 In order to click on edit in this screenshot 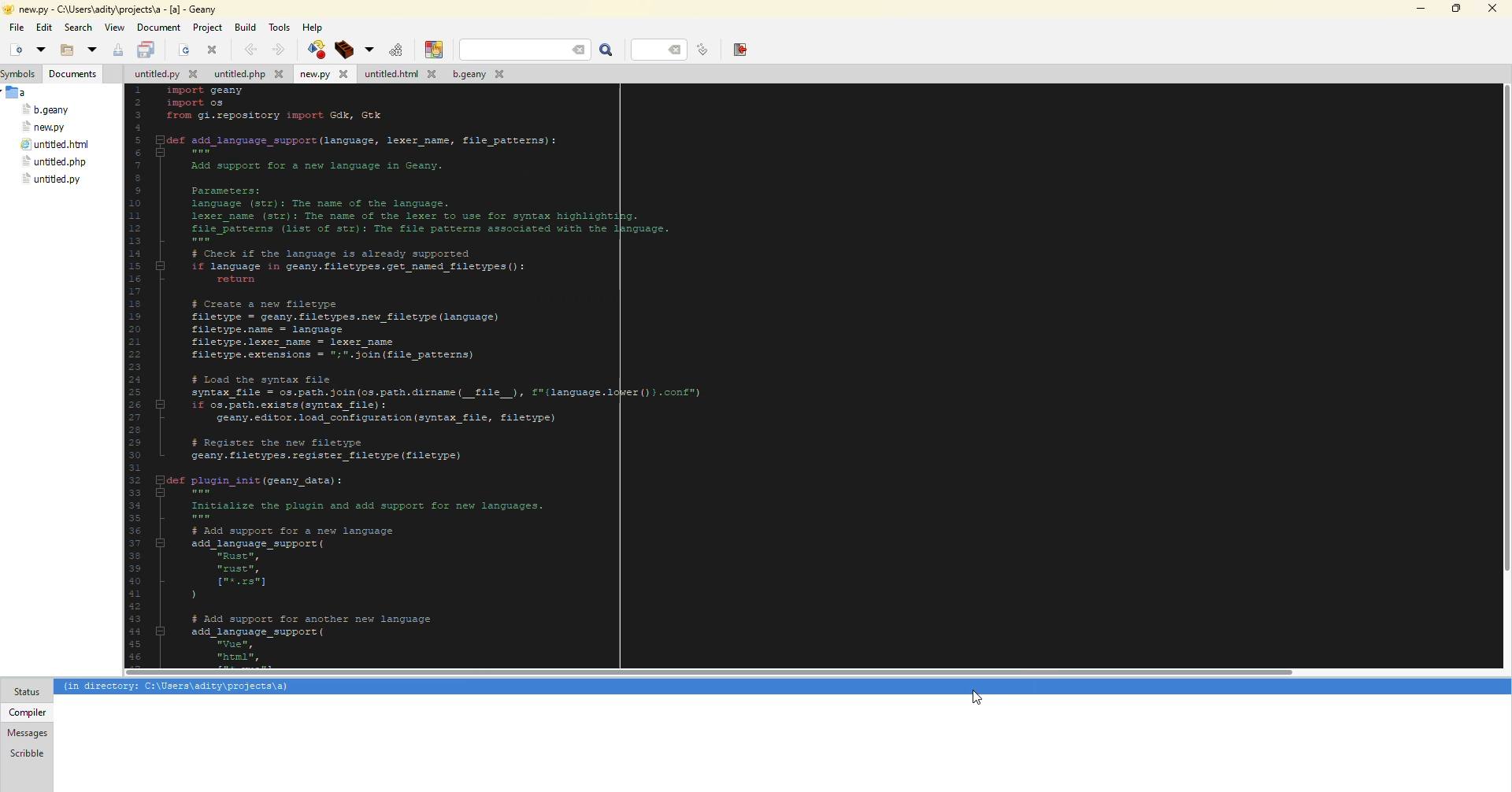, I will do `click(44, 28)`.